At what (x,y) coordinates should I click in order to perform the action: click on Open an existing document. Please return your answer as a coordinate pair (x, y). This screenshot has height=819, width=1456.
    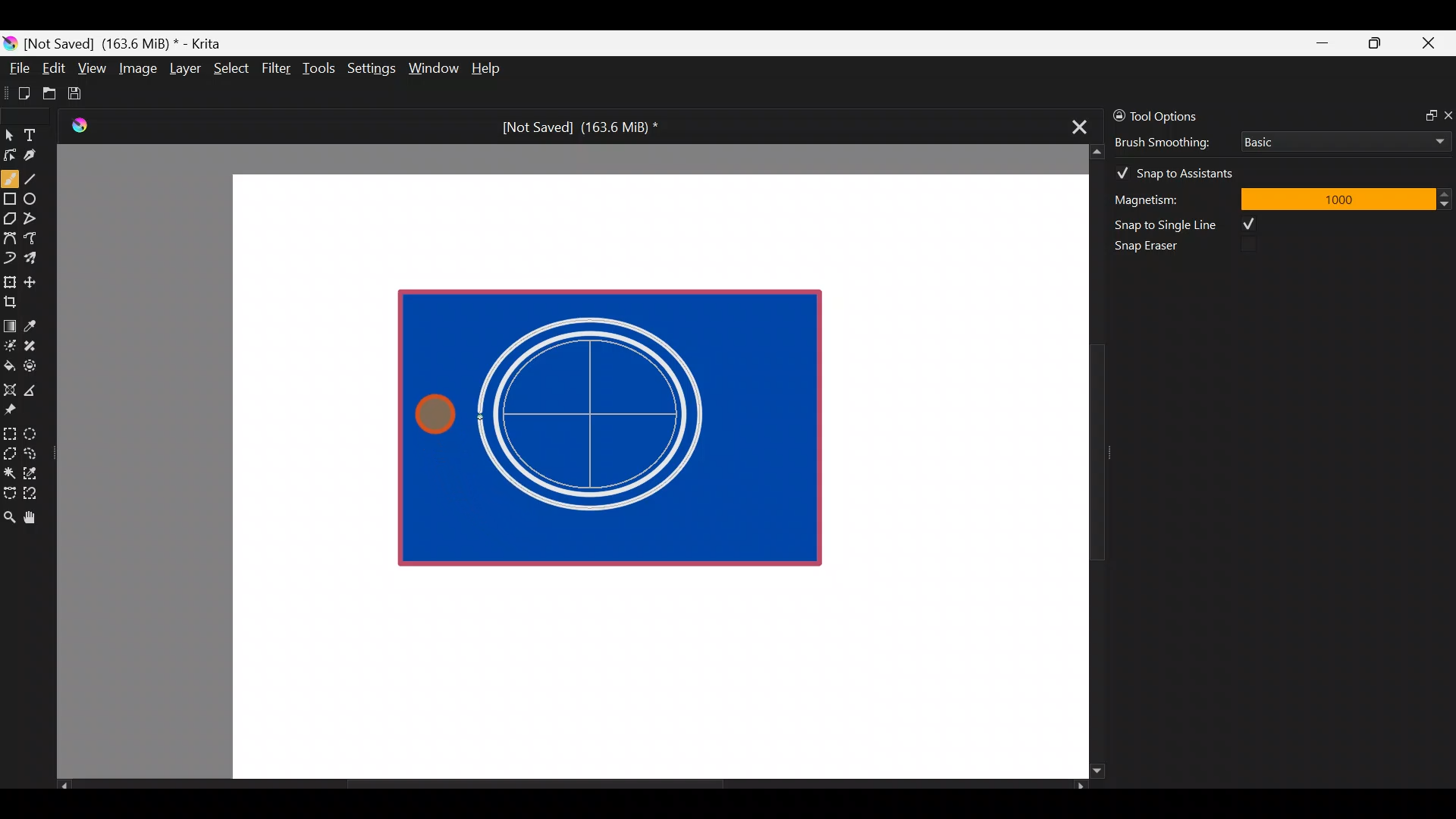
    Looking at the image, I should click on (50, 96).